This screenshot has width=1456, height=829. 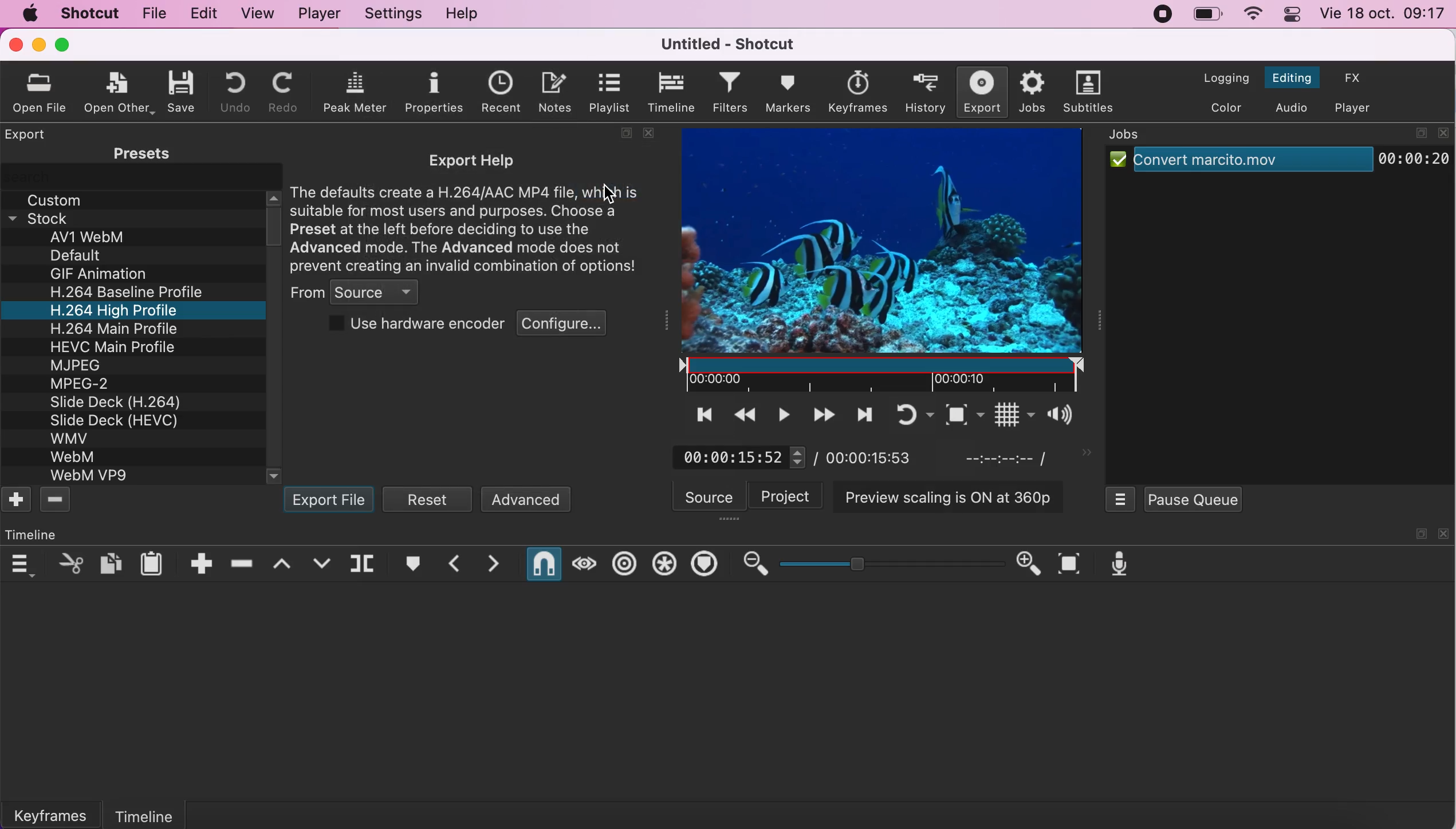 I want to click on Slide Deck (H.264), so click(x=116, y=402).